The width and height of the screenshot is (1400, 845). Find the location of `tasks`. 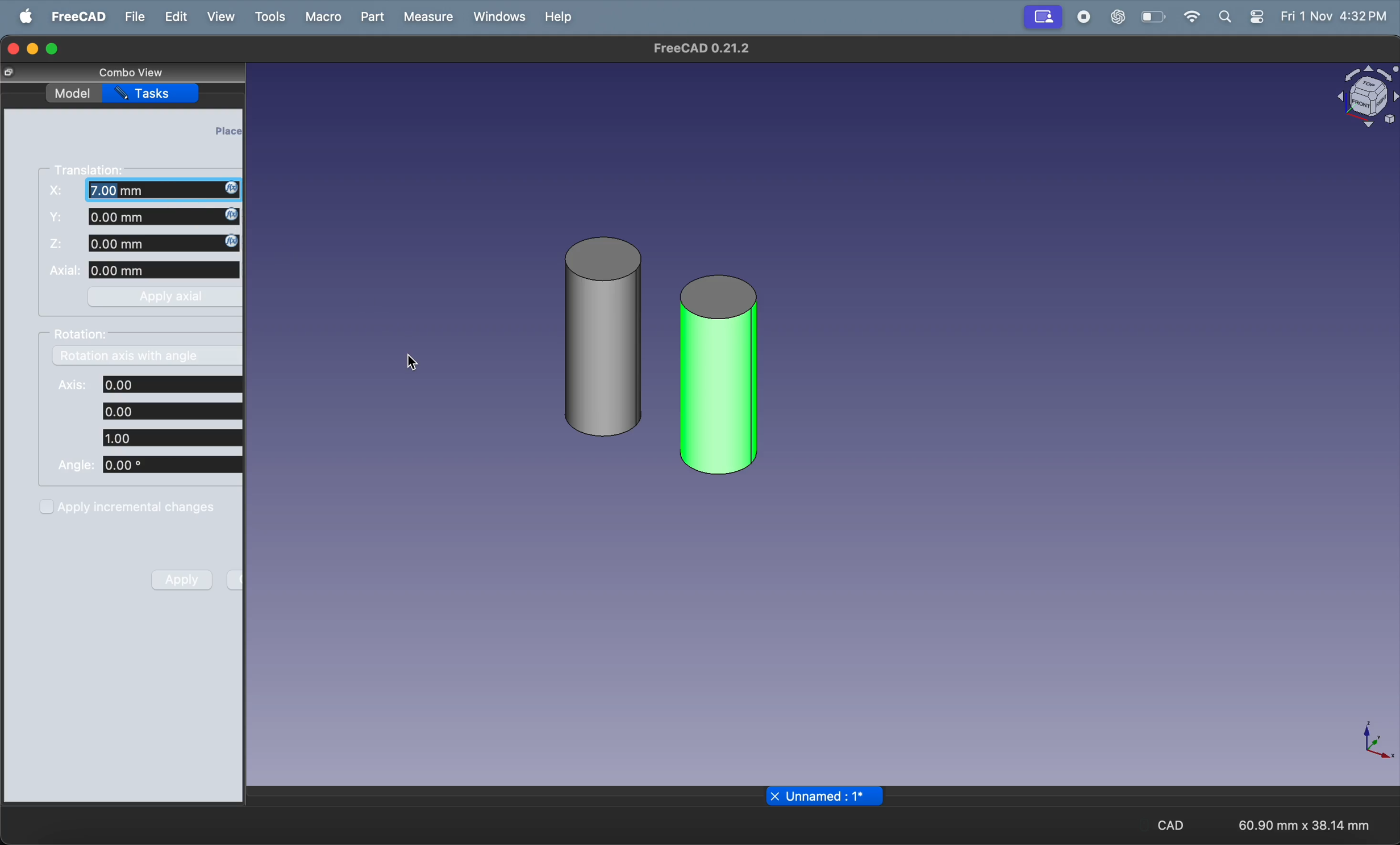

tasks is located at coordinates (153, 93).